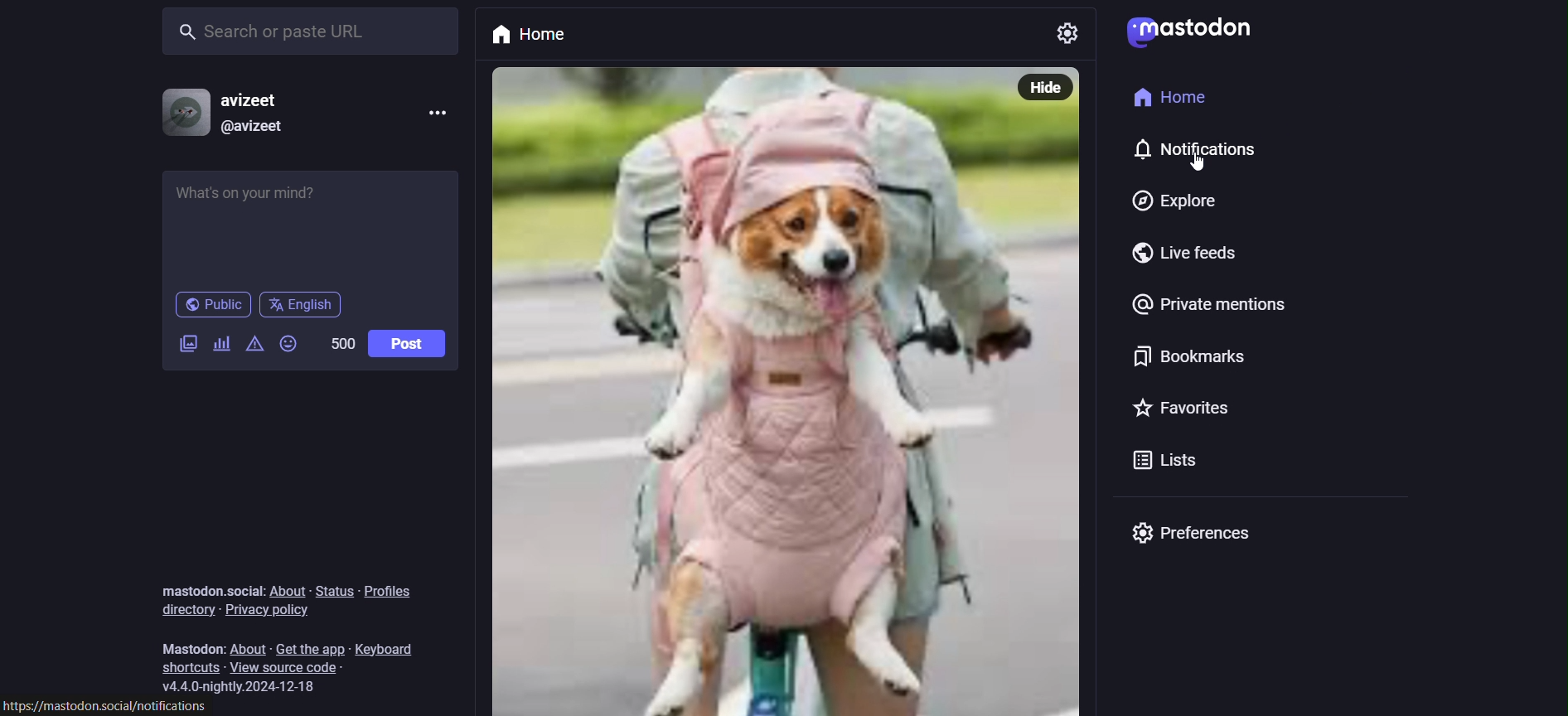 Image resolution: width=1568 pixels, height=716 pixels. What do you see at coordinates (540, 32) in the screenshot?
I see `home` at bounding box center [540, 32].